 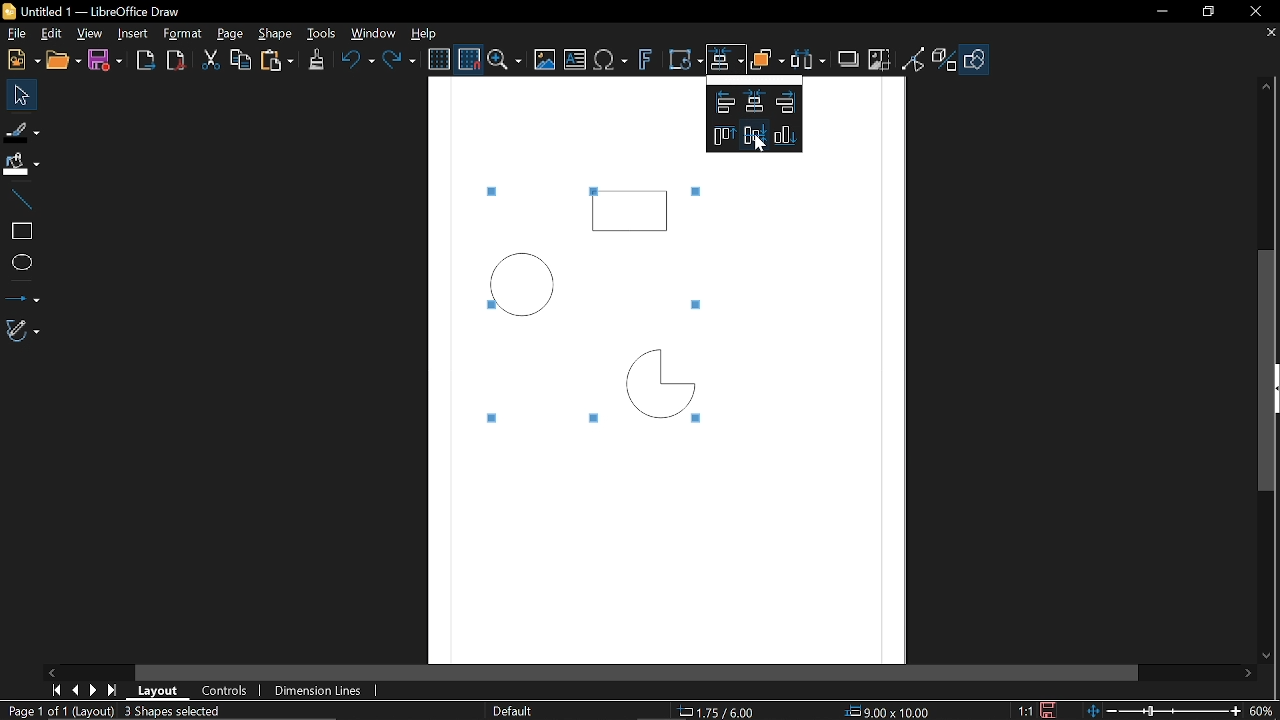 I want to click on Page 1 of 1 (Layout), so click(x=58, y=711).